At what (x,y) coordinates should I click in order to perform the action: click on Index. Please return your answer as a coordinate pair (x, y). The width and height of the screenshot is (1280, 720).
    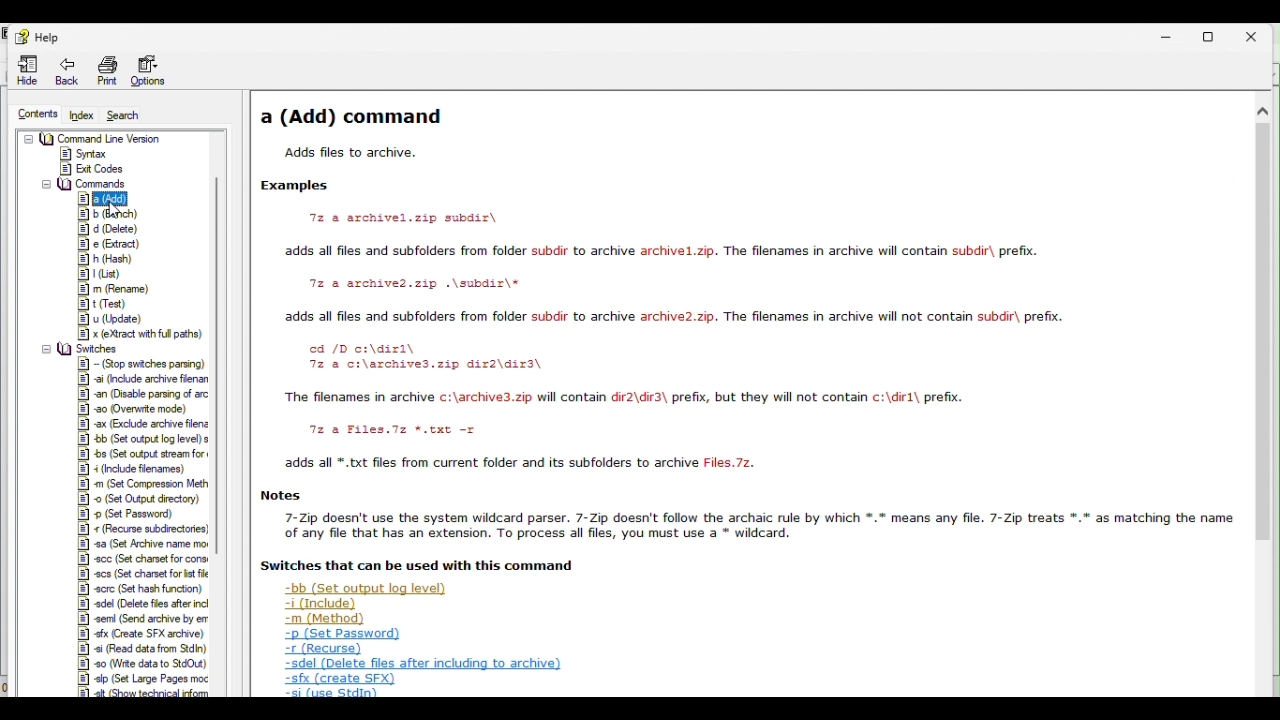
    Looking at the image, I should click on (83, 116).